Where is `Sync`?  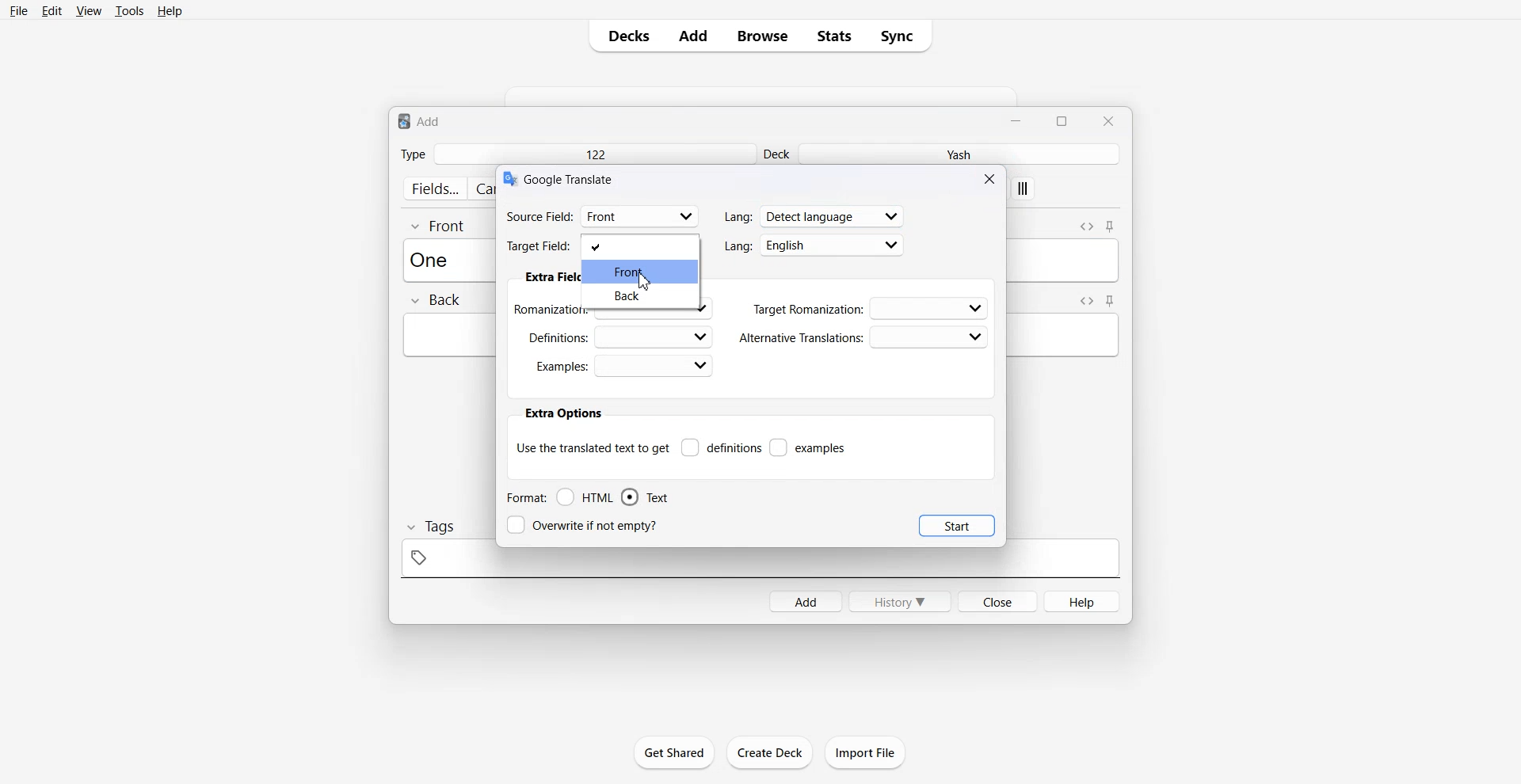 Sync is located at coordinates (902, 36).